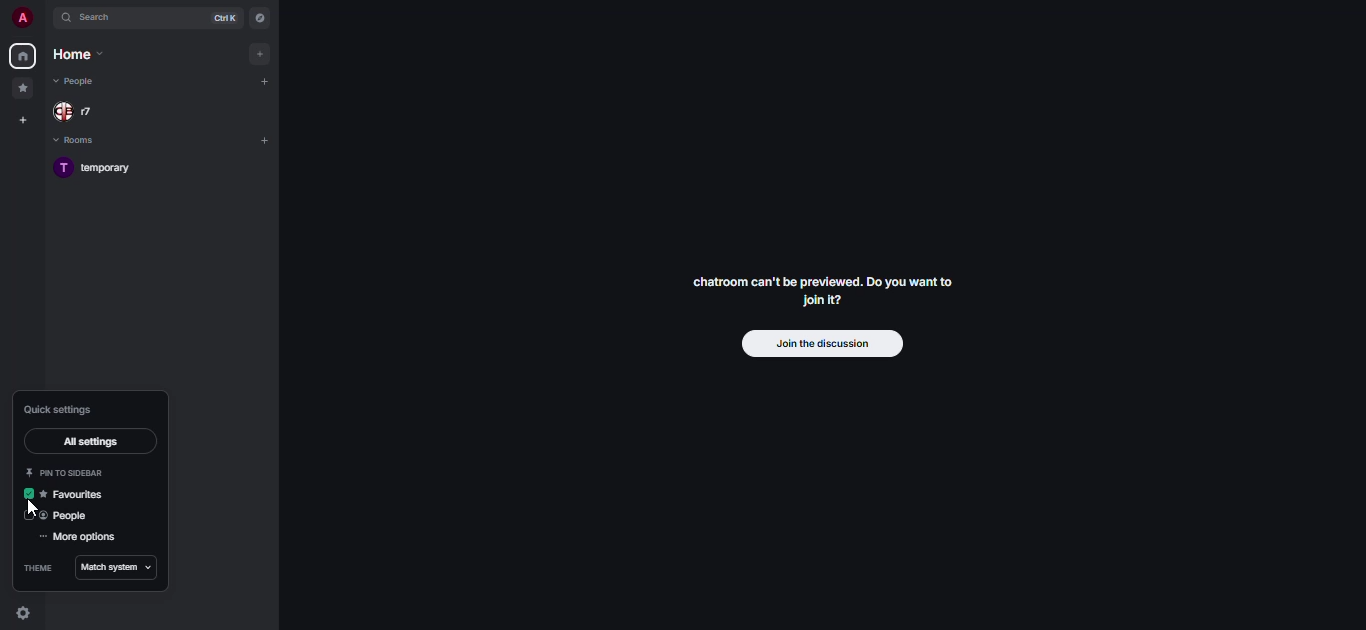 The width and height of the screenshot is (1366, 630). Describe the element at coordinates (58, 408) in the screenshot. I see `quick settings` at that location.